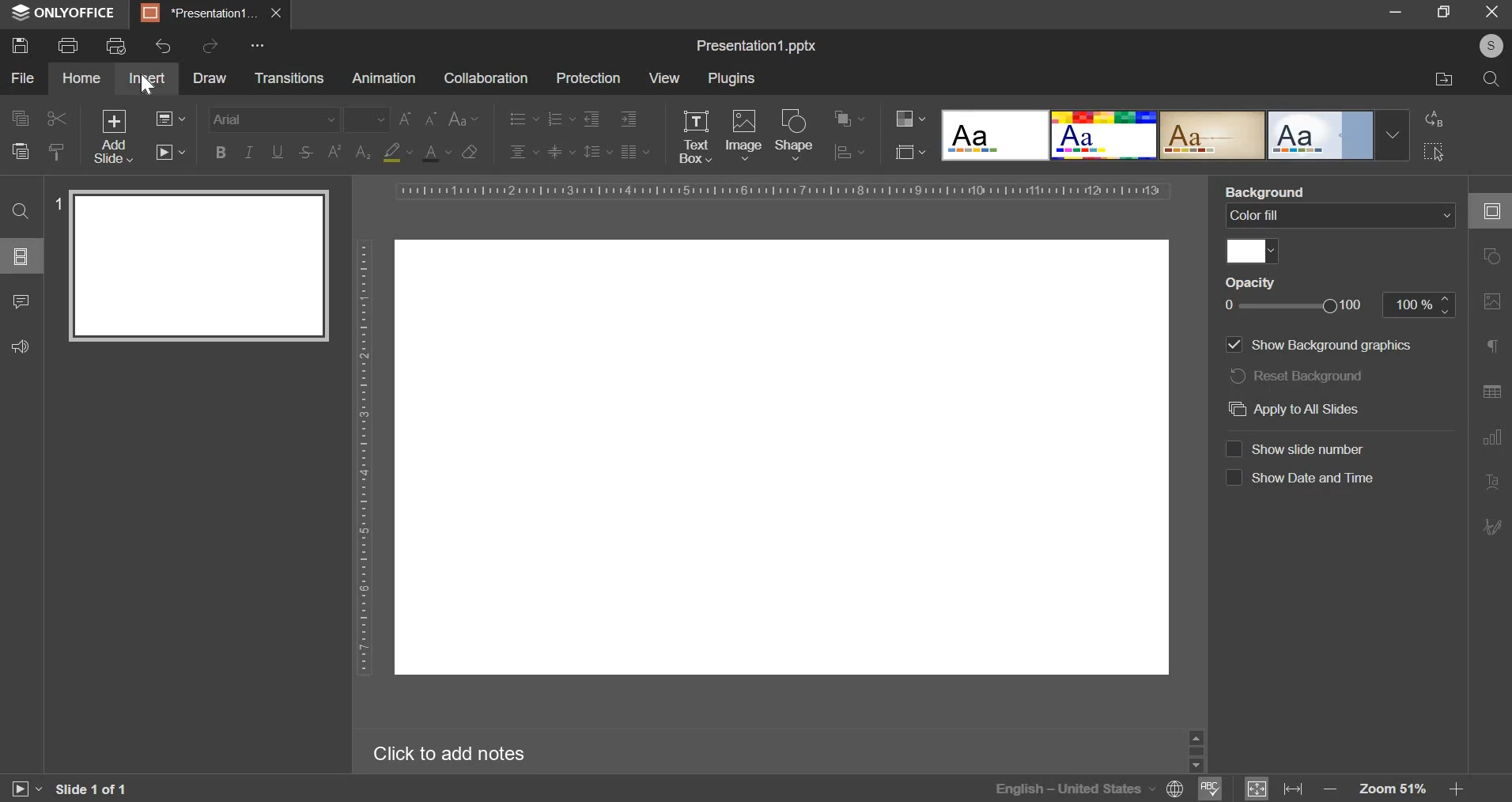 This screenshot has width=1512, height=802. I want to click on find, so click(21, 211).